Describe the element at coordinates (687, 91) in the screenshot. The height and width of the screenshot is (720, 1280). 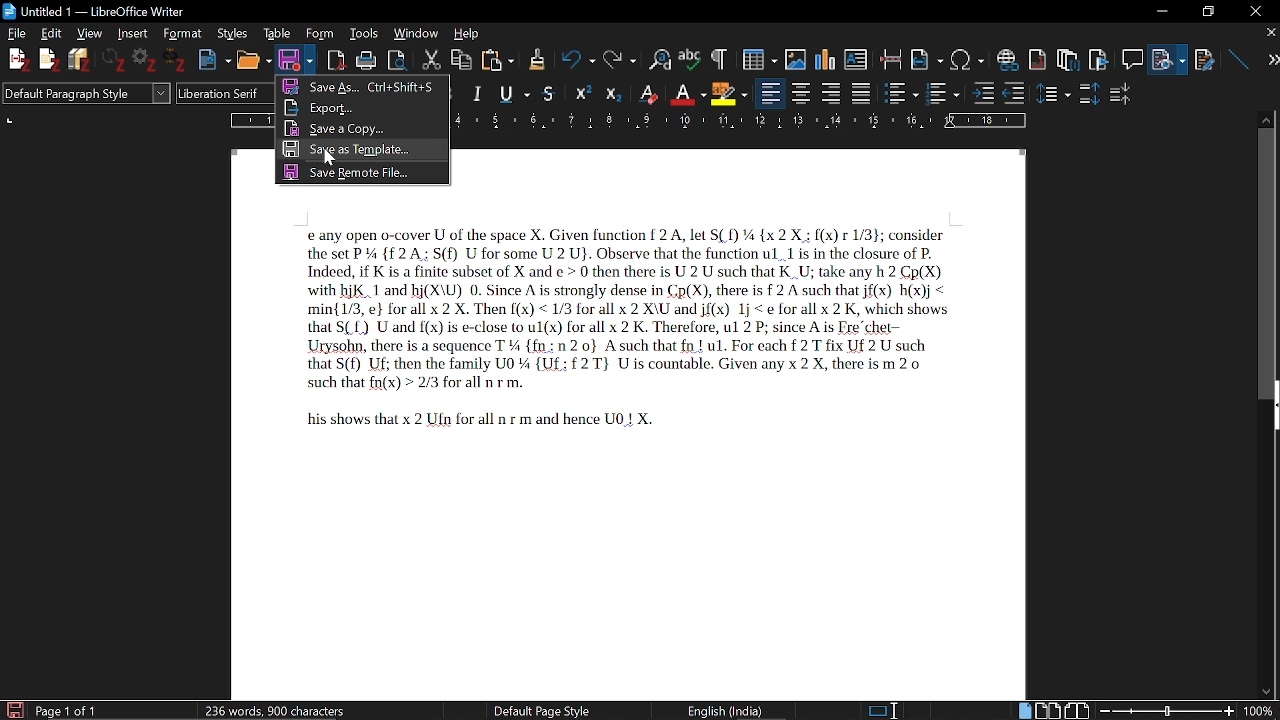
I see `Subscript` at that location.